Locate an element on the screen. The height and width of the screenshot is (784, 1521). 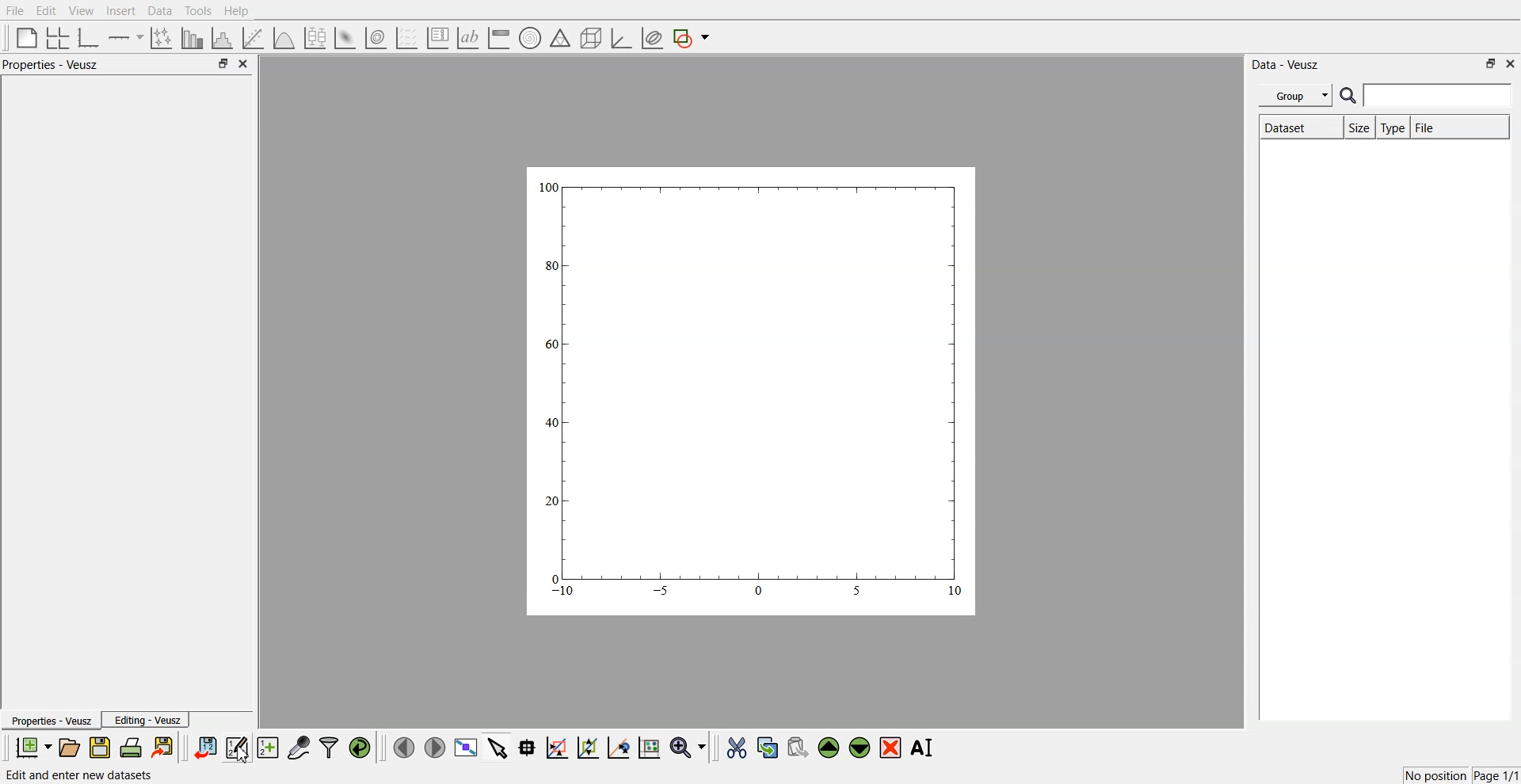
close is located at coordinates (244, 64).